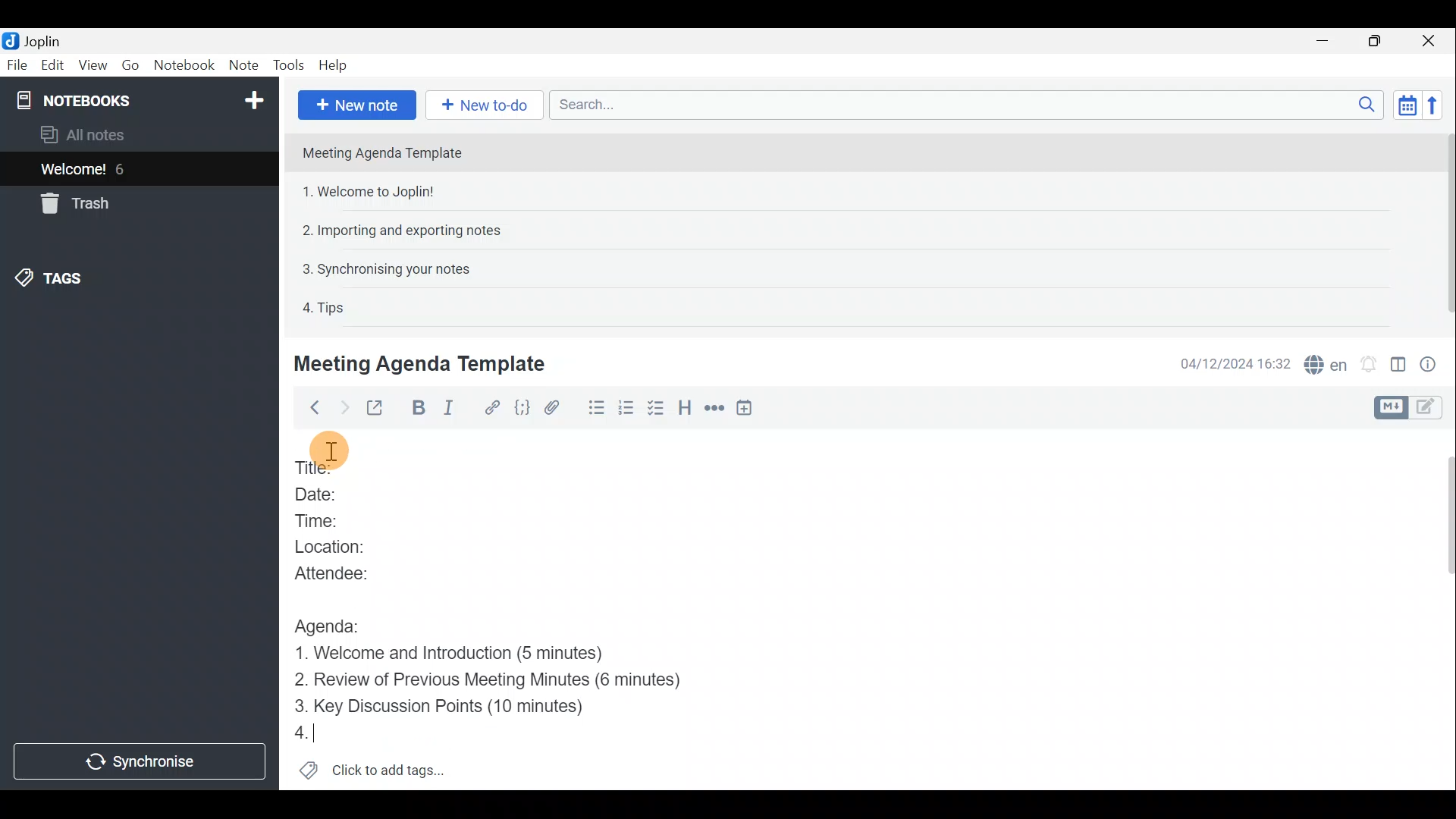 The image size is (1456, 819). What do you see at coordinates (108, 134) in the screenshot?
I see `All notes` at bounding box center [108, 134].